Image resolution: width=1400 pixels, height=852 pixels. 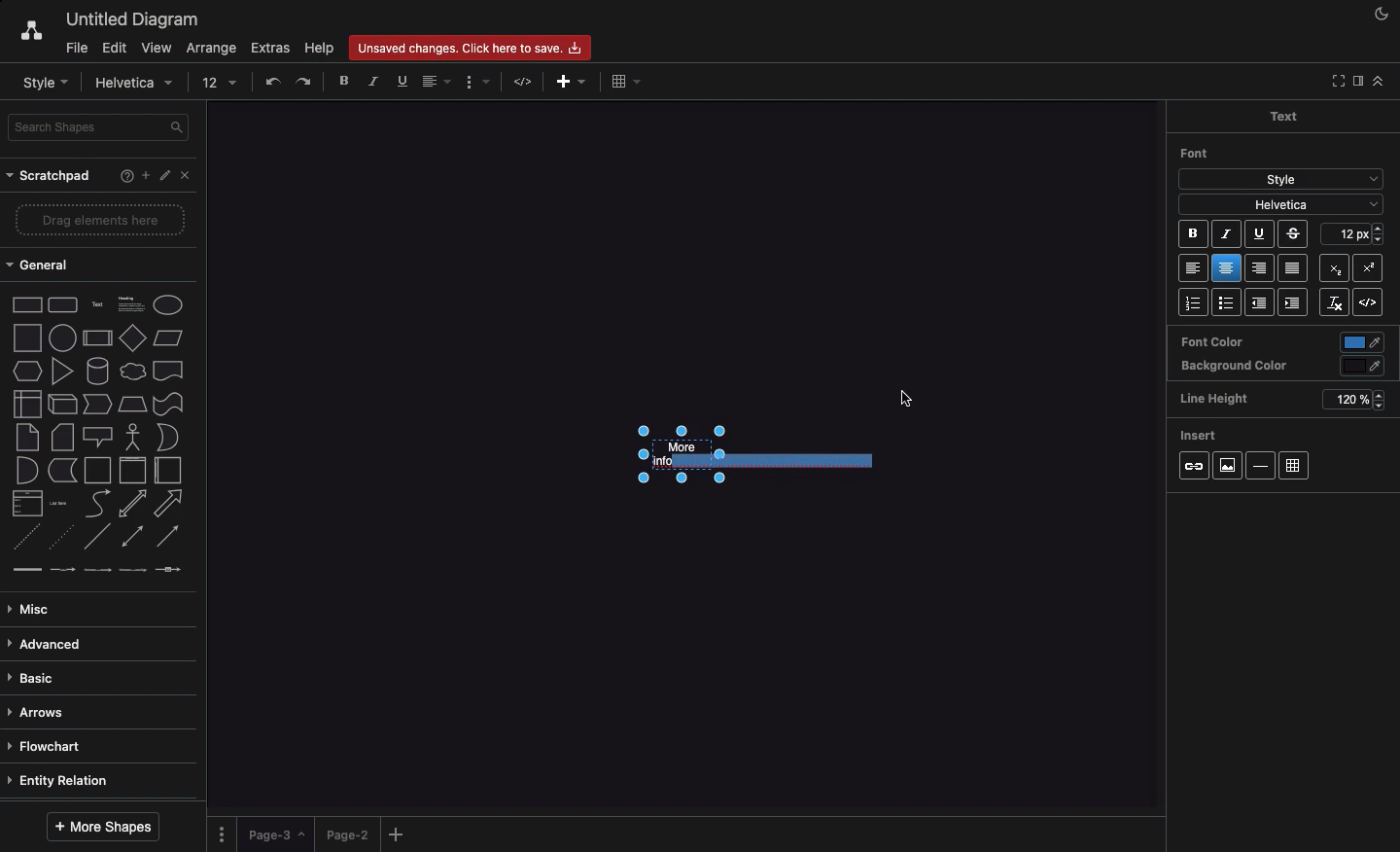 What do you see at coordinates (171, 569) in the screenshot?
I see `connector with symbol` at bounding box center [171, 569].